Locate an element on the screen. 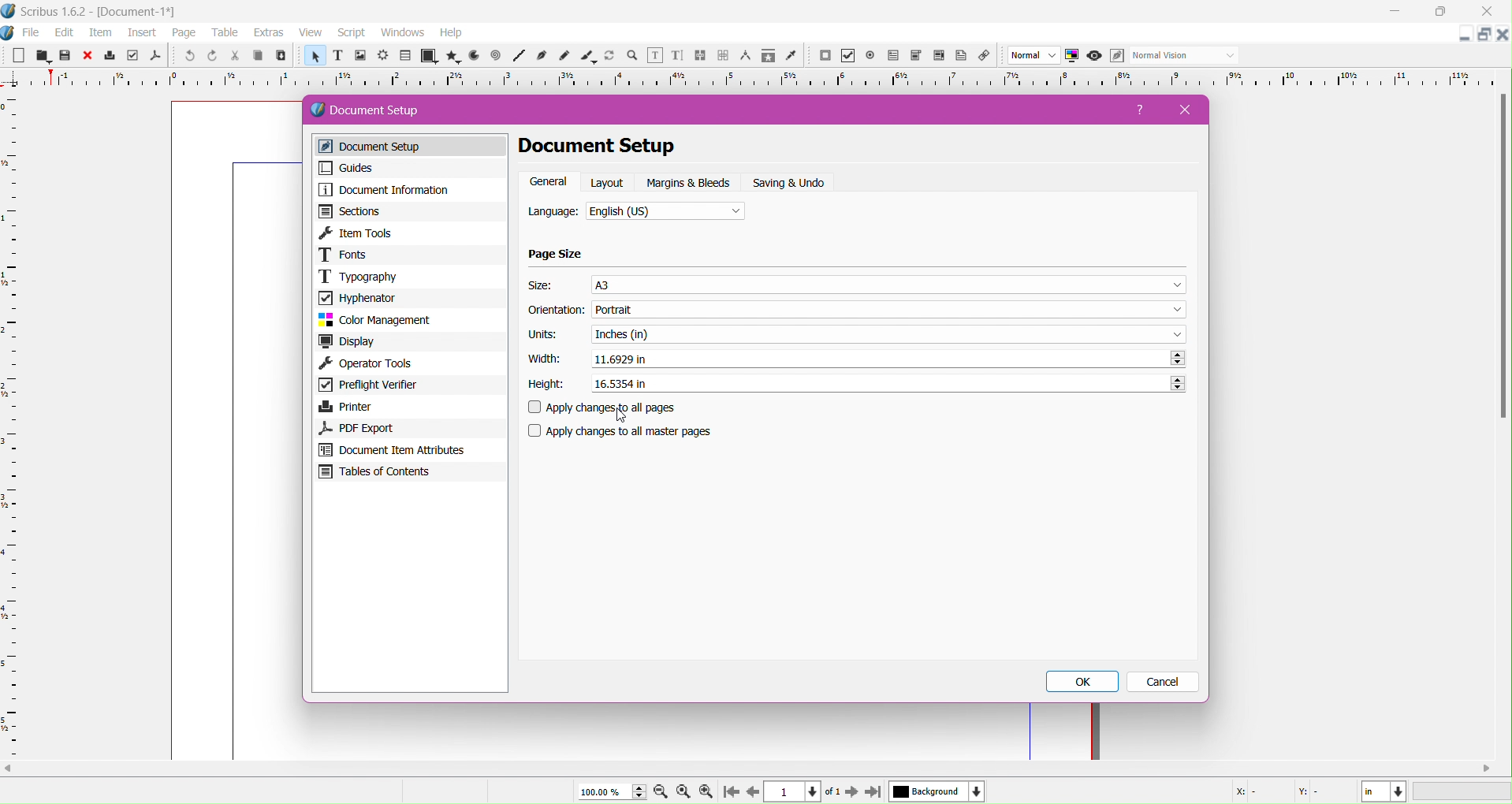  Fonts is located at coordinates (411, 255).